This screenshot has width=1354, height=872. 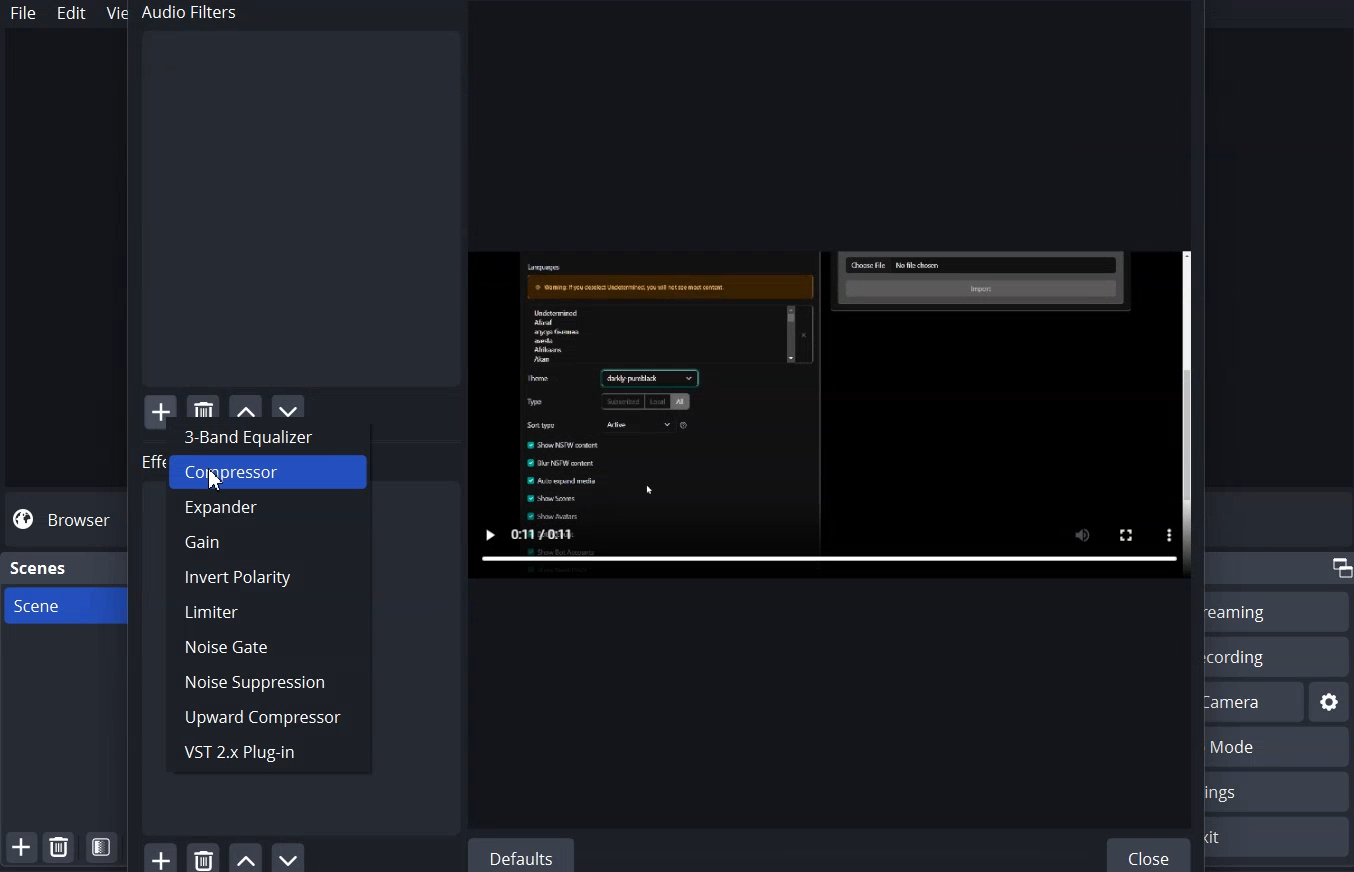 What do you see at coordinates (1278, 791) in the screenshot?
I see `Settings` at bounding box center [1278, 791].